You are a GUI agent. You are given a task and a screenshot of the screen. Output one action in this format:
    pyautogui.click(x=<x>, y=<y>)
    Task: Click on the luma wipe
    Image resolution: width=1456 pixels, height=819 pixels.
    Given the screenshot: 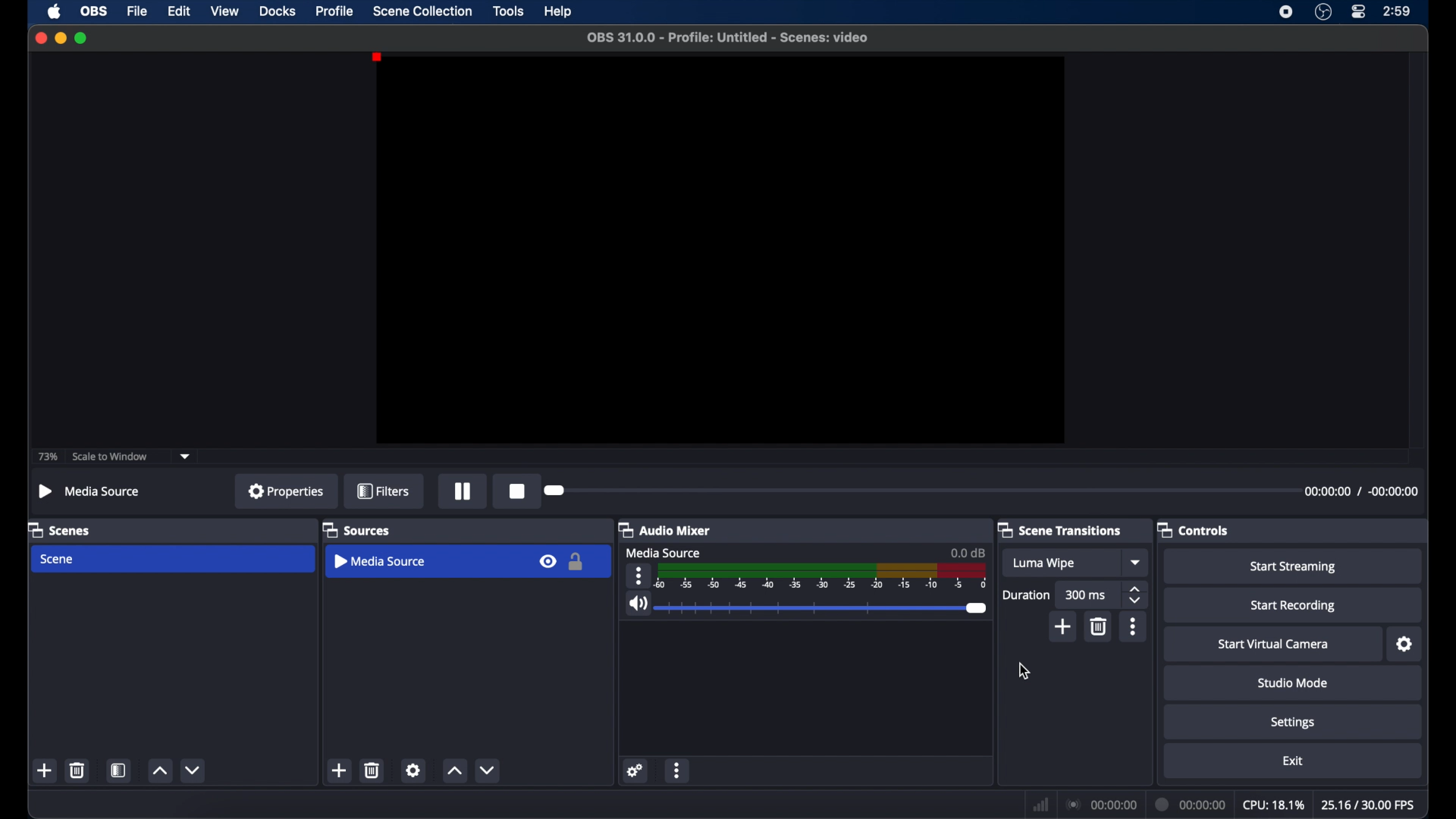 What is the action you would take?
    pyautogui.click(x=1045, y=563)
    